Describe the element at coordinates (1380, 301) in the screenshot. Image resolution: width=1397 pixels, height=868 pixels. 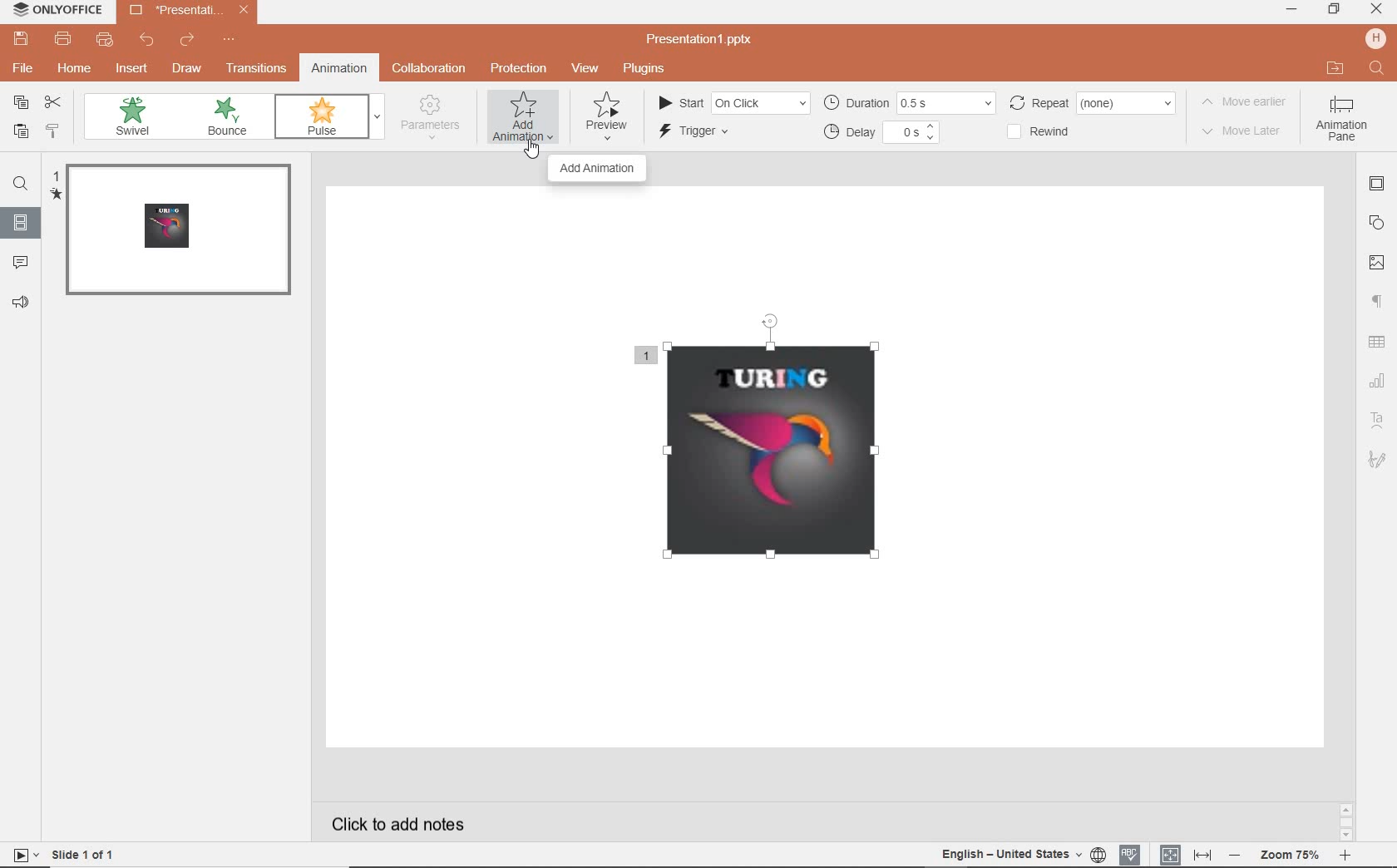
I see `paragraph settings` at that location.